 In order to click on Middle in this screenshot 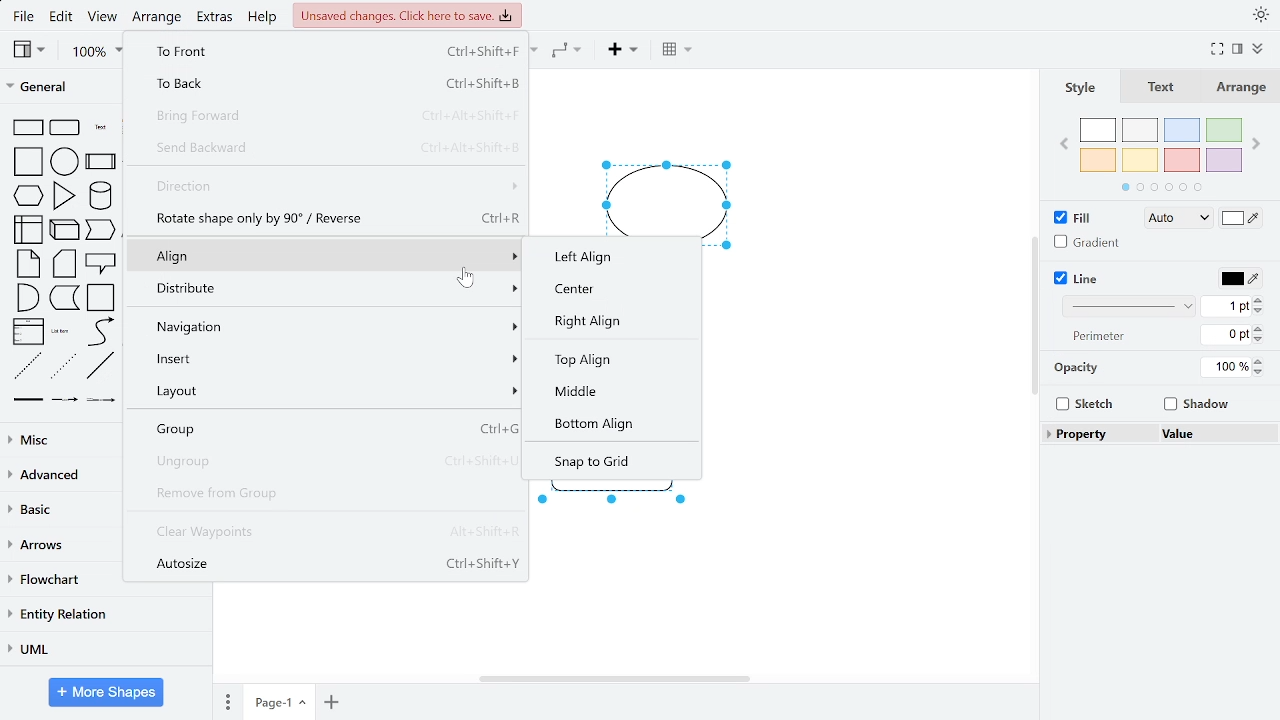, I will do `click(614, 393)`.